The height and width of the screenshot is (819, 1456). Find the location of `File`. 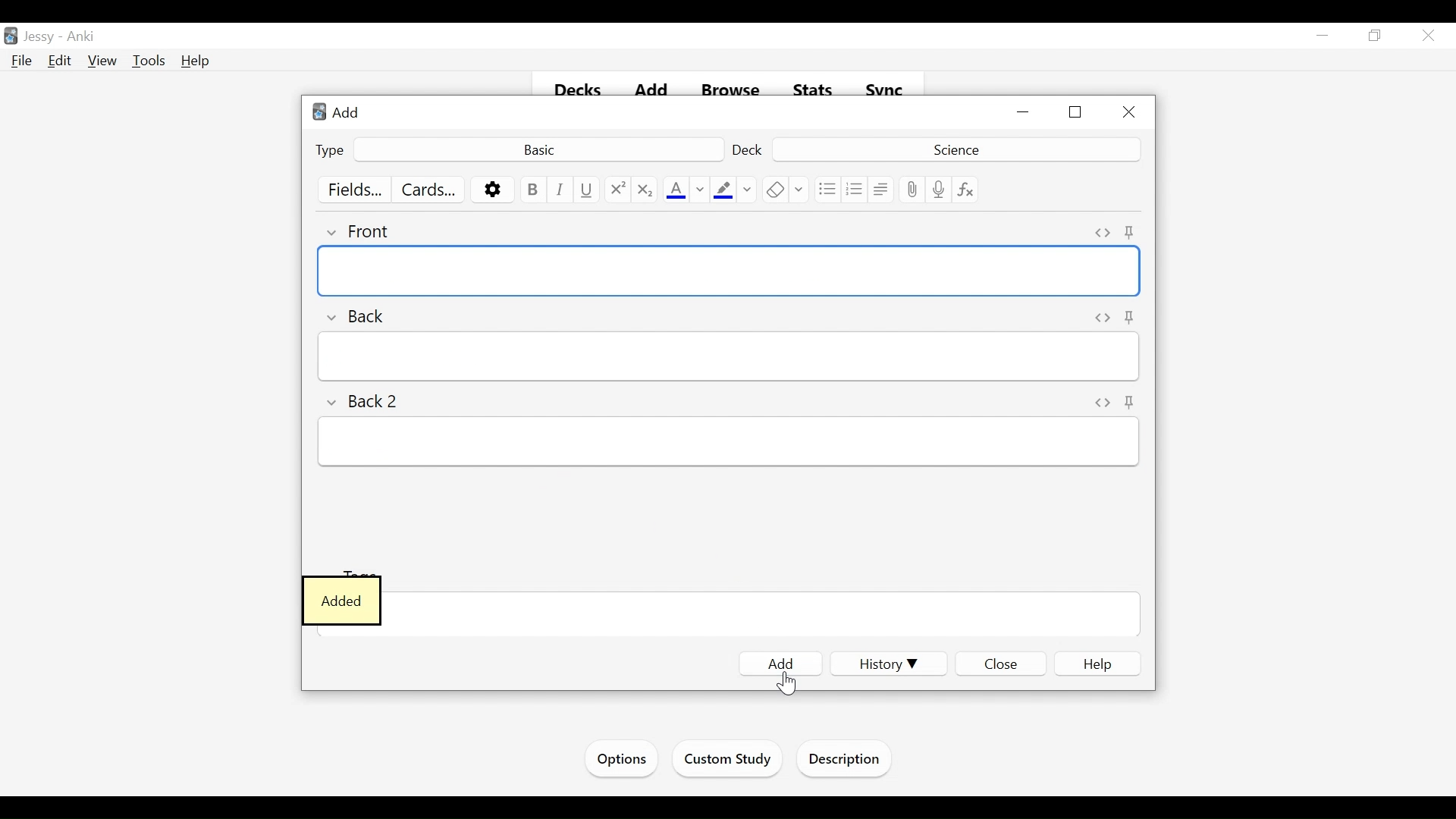

File is located at coordinates (22, 61).